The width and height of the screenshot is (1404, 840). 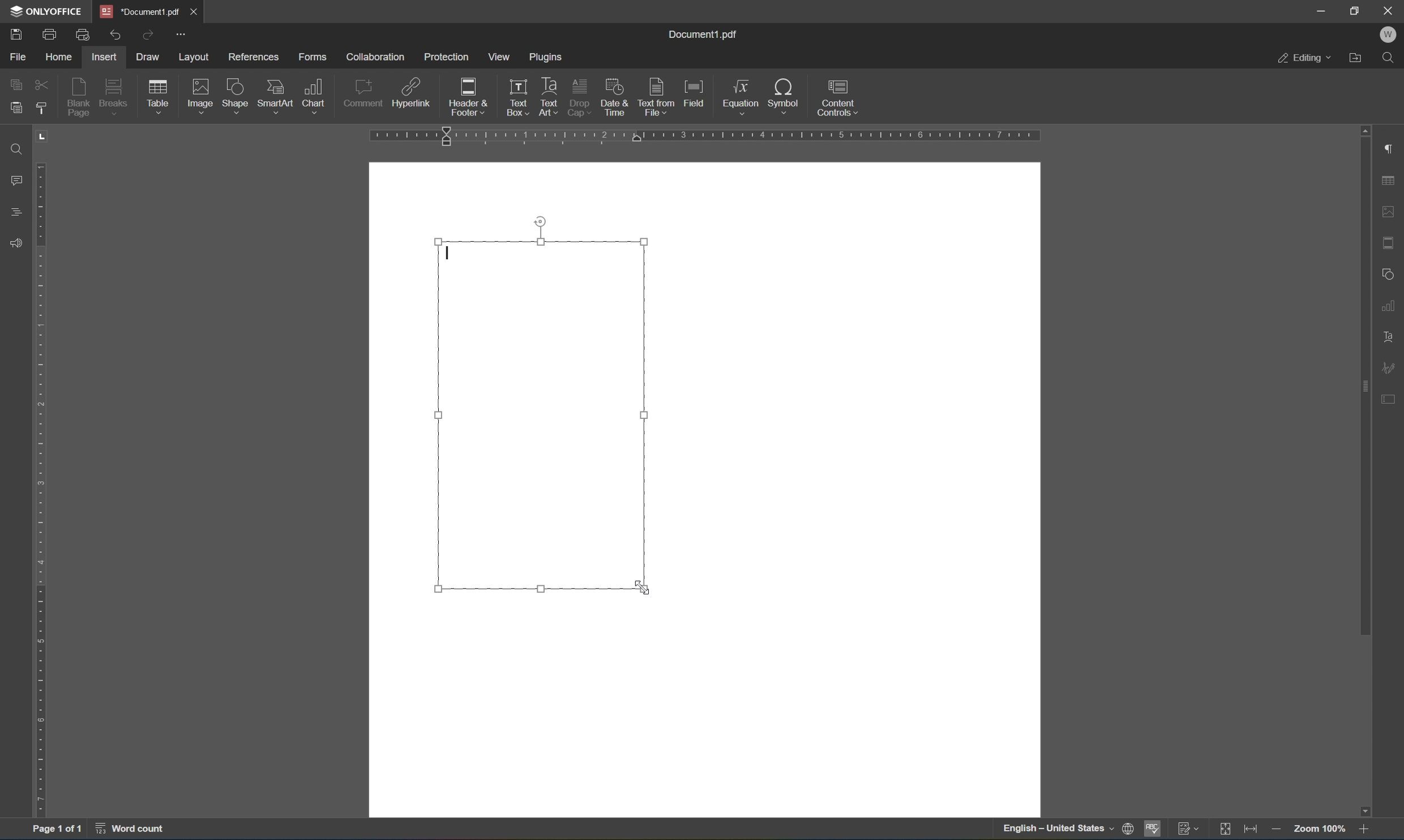 What do you see at coordinates (145, 34) in the screenshot?
I see `Redo` at bounding box center [145, 34].